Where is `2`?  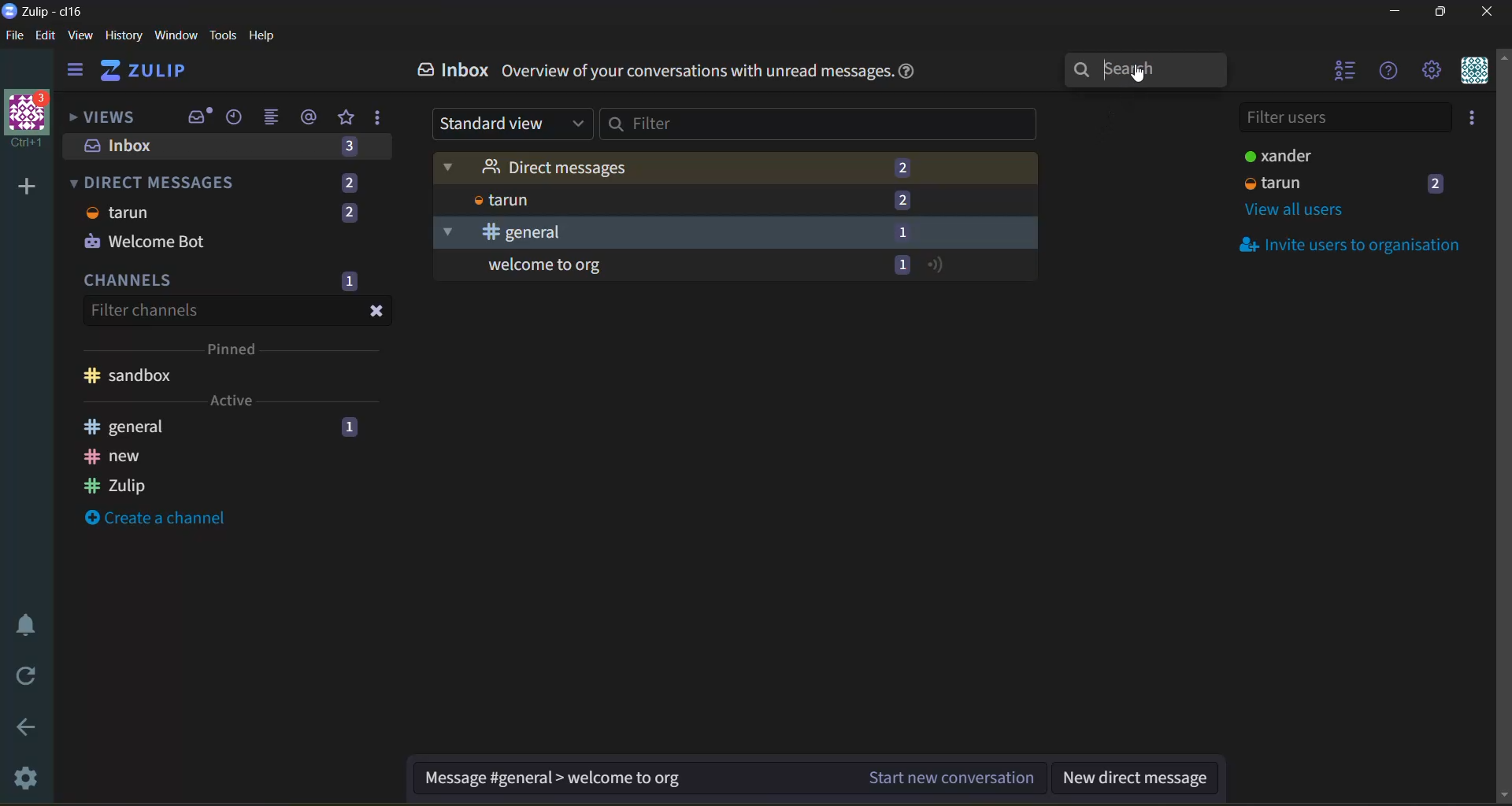
2 is located at coordinates (898, 166).